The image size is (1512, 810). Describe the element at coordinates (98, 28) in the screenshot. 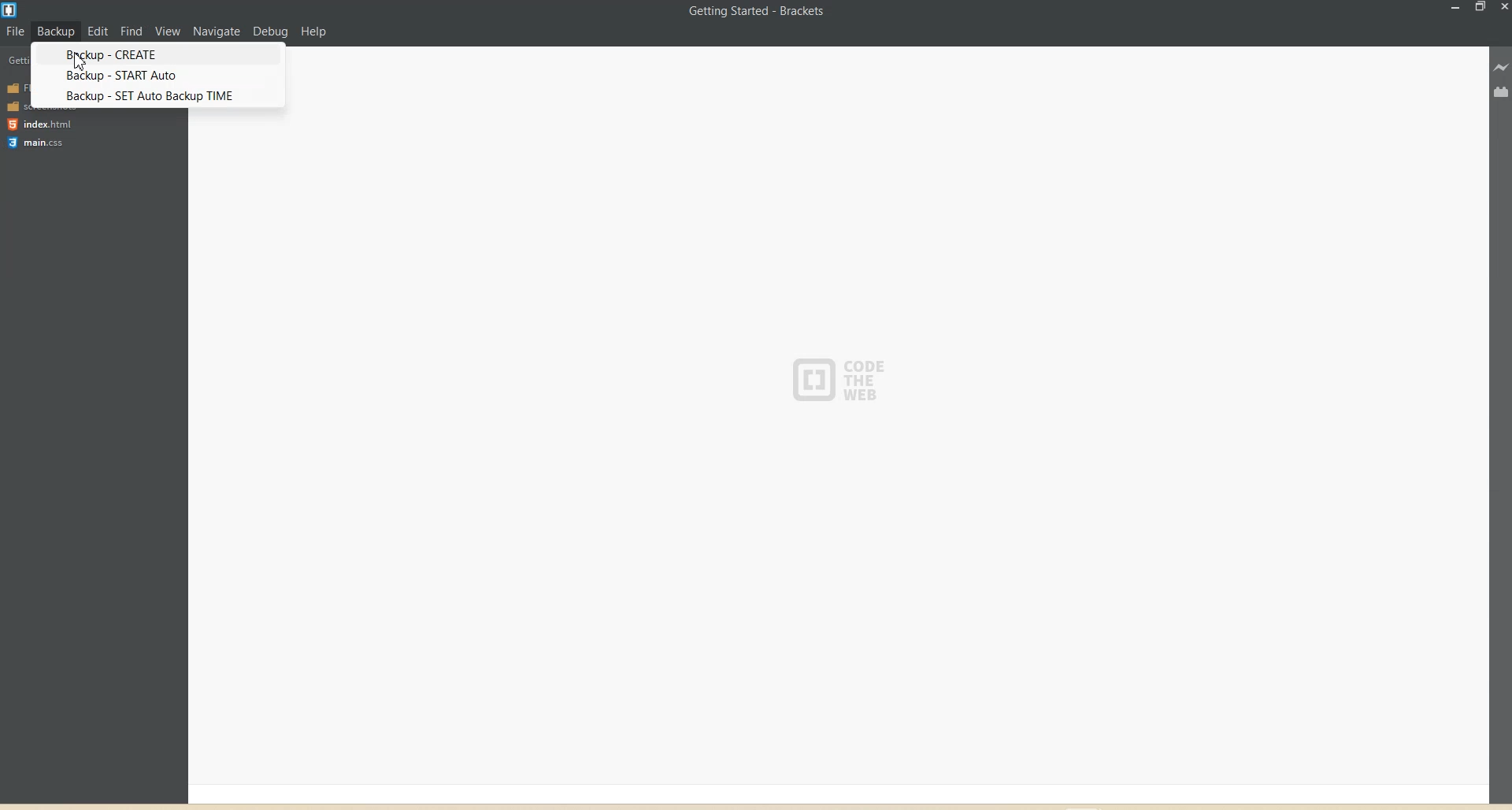

I see `Edit` at that location.